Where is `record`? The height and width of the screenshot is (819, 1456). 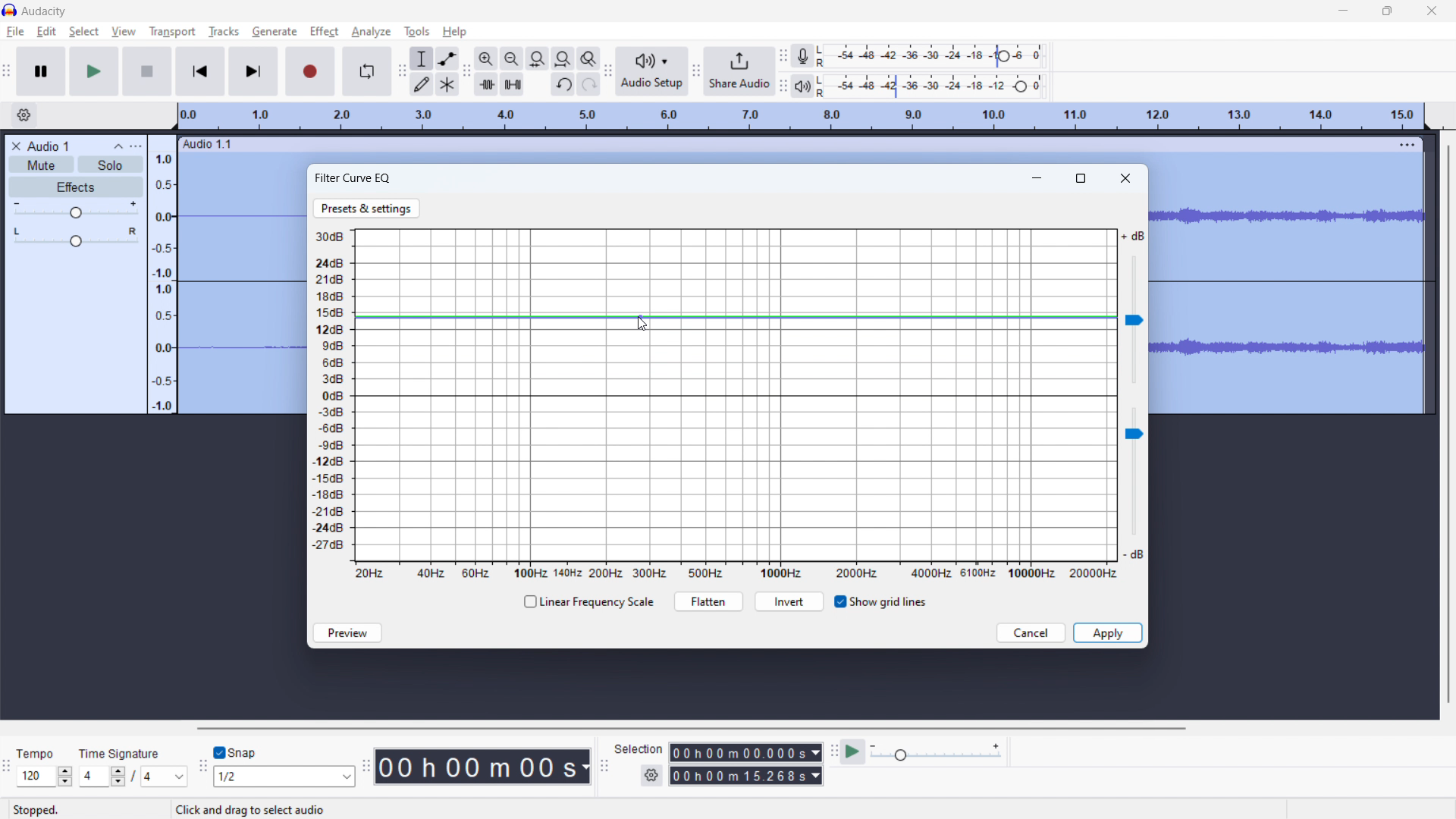
record is located at coordinates (311, 71).